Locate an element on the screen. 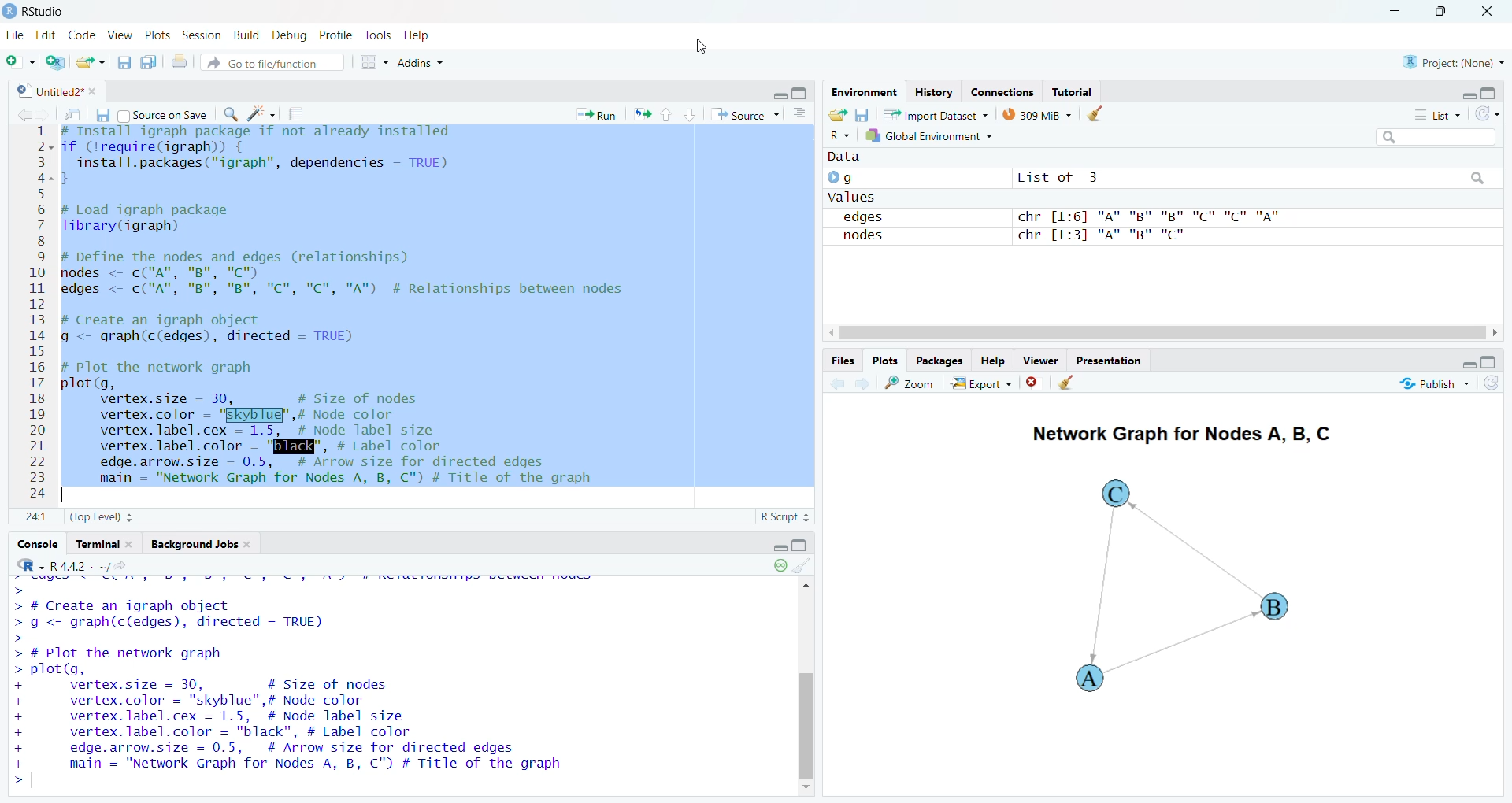  zoom is located at coordinates (910, 384).